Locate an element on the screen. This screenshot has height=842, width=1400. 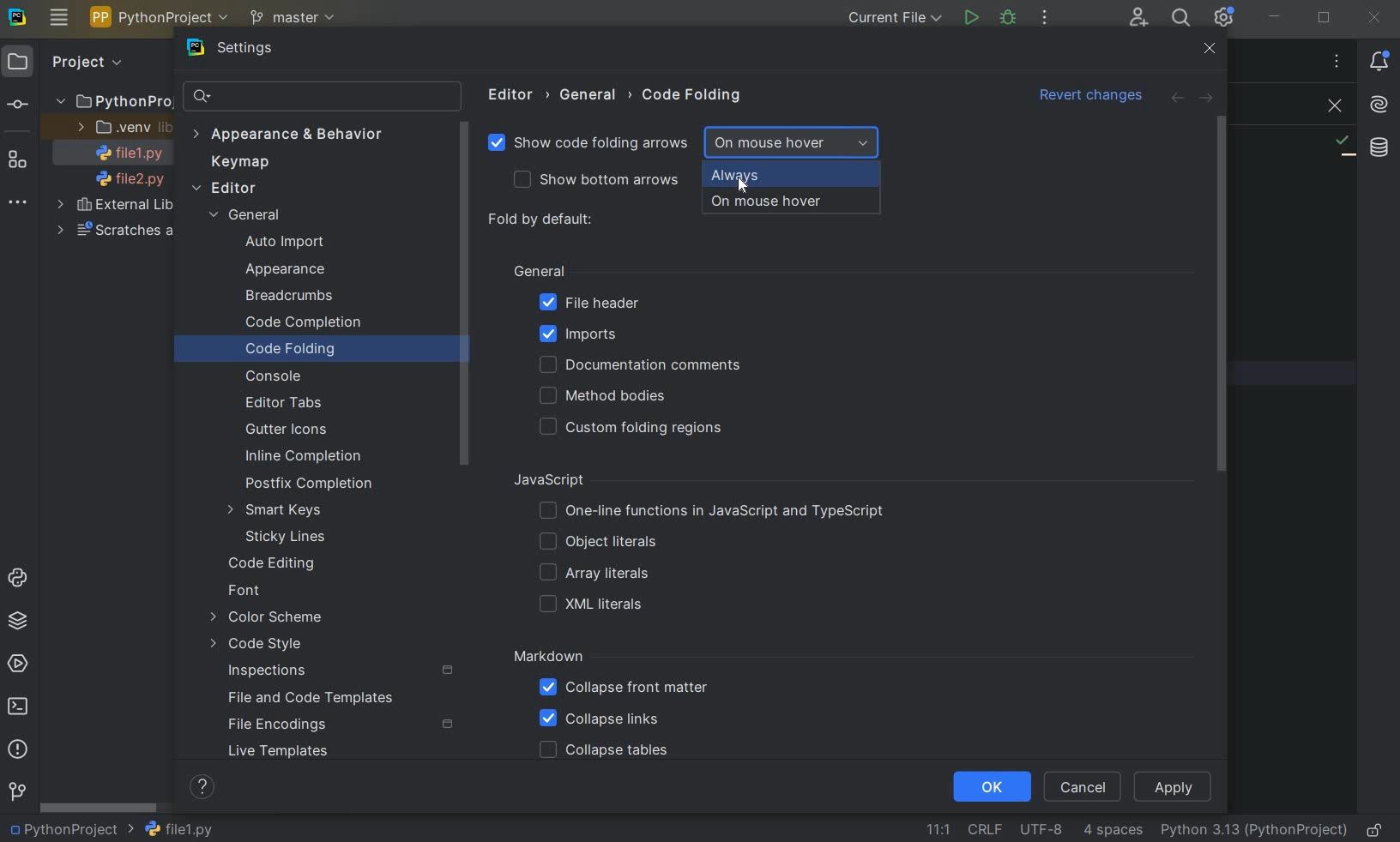
CODE EDITING is located at coordinates (275, 564).